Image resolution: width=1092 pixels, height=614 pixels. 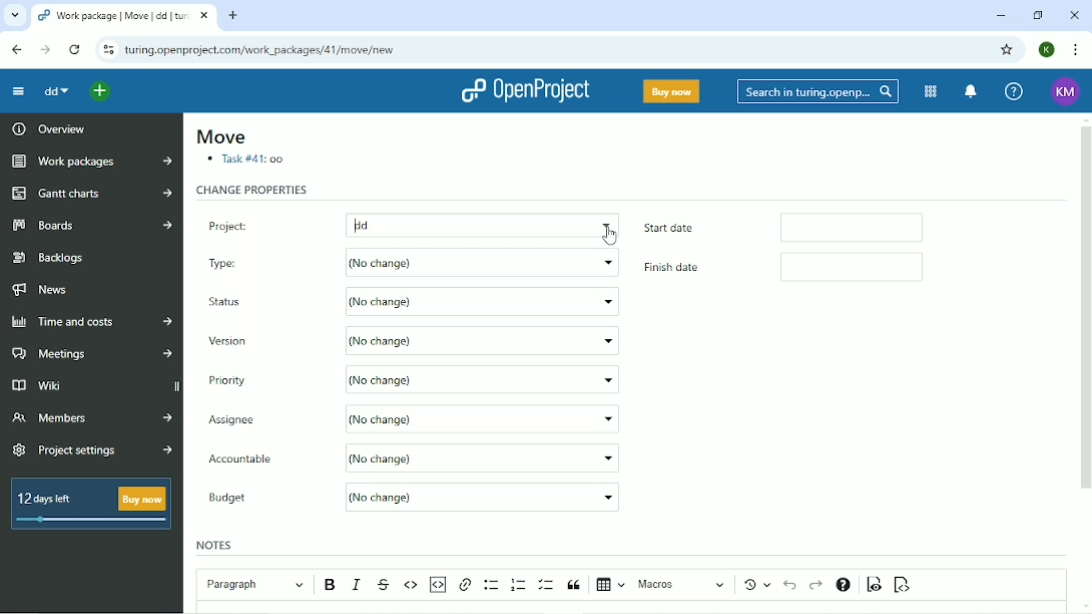 I want to click on Vertical scrollbar, so click(x=1083, y=307).